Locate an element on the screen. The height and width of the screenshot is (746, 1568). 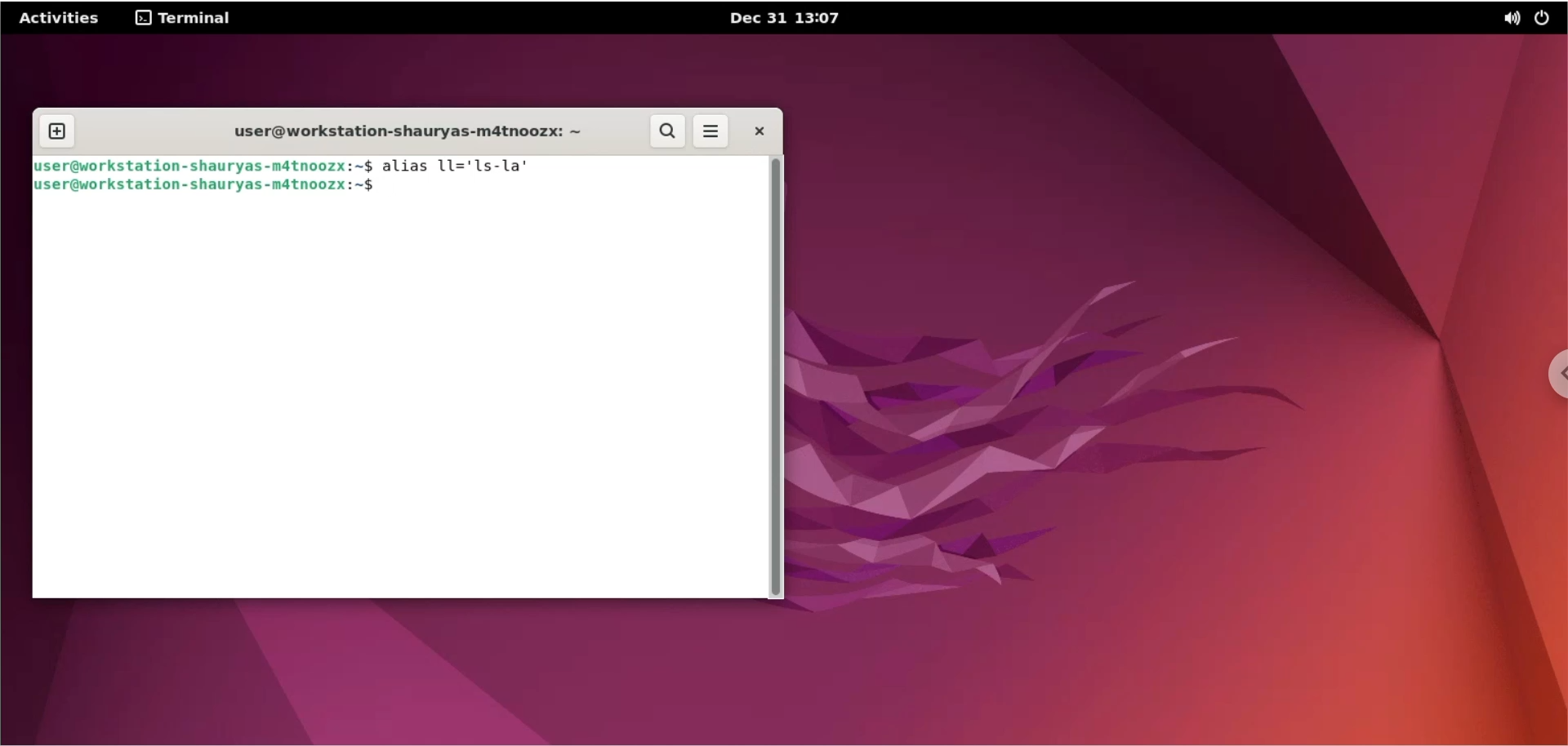
close is located at coordinates (754, 131).